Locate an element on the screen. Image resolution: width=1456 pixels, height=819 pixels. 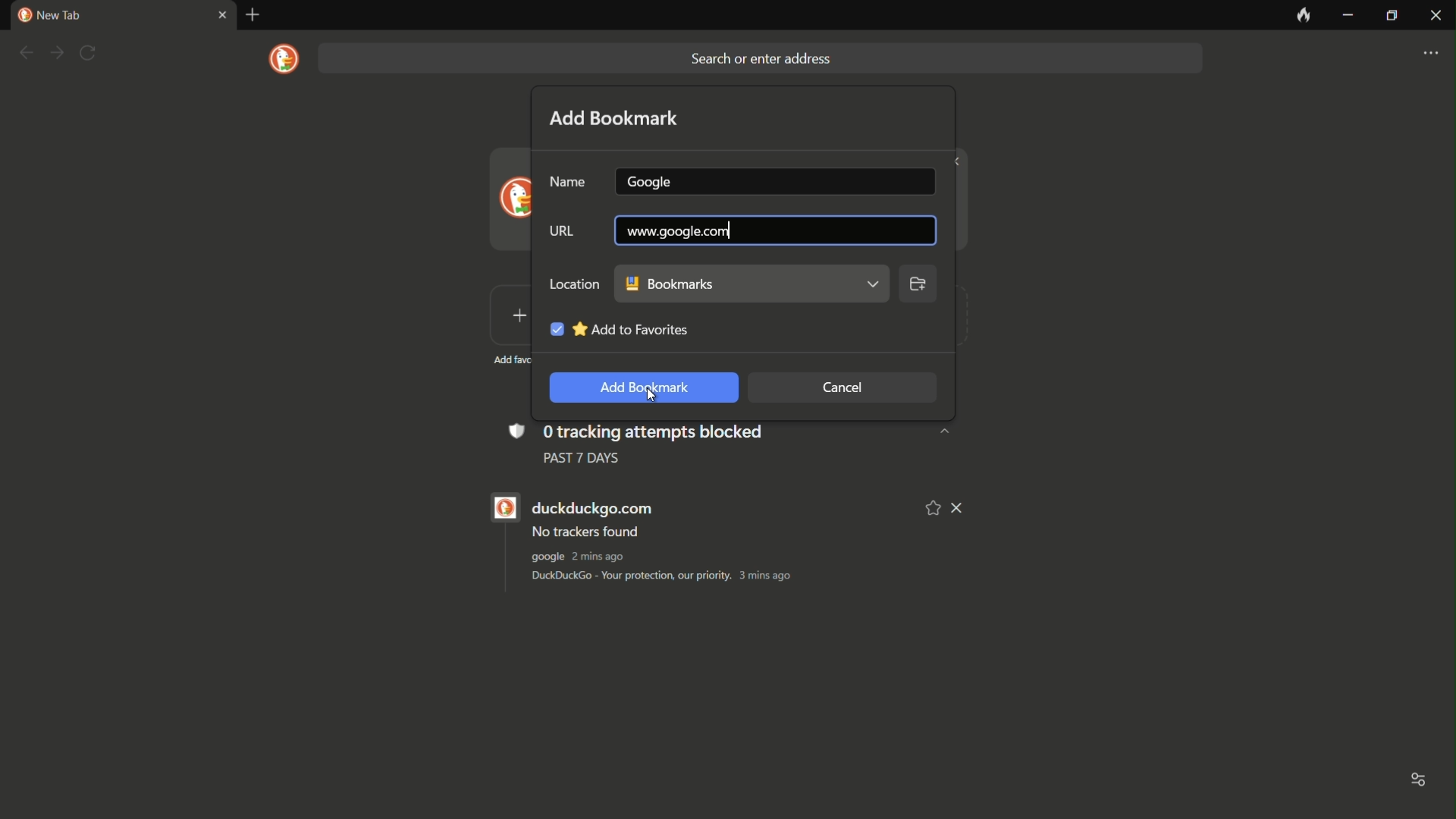
back is located at coordinates (25, 53).